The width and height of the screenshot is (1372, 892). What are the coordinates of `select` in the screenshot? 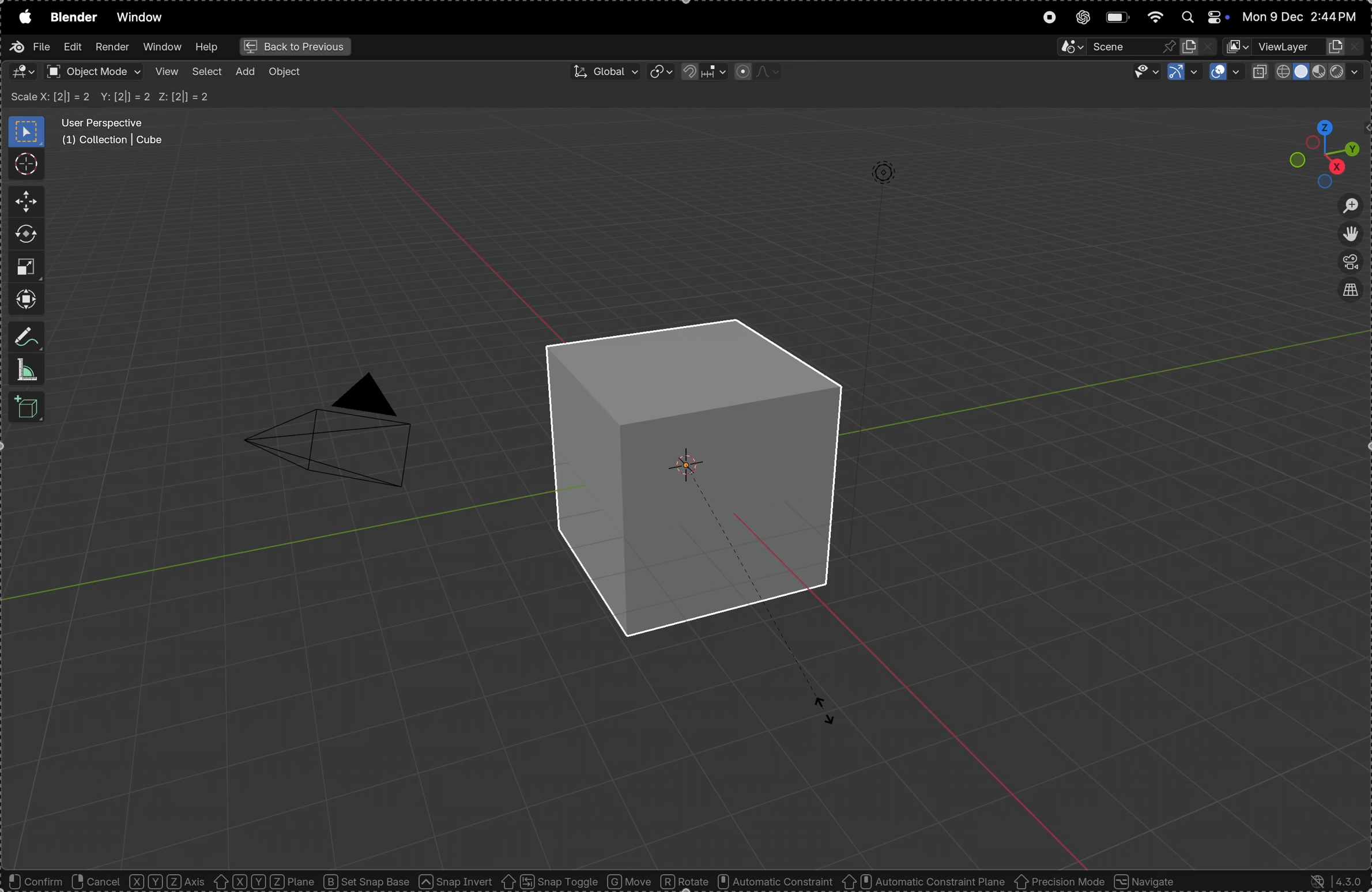 It's located at (209, 72).